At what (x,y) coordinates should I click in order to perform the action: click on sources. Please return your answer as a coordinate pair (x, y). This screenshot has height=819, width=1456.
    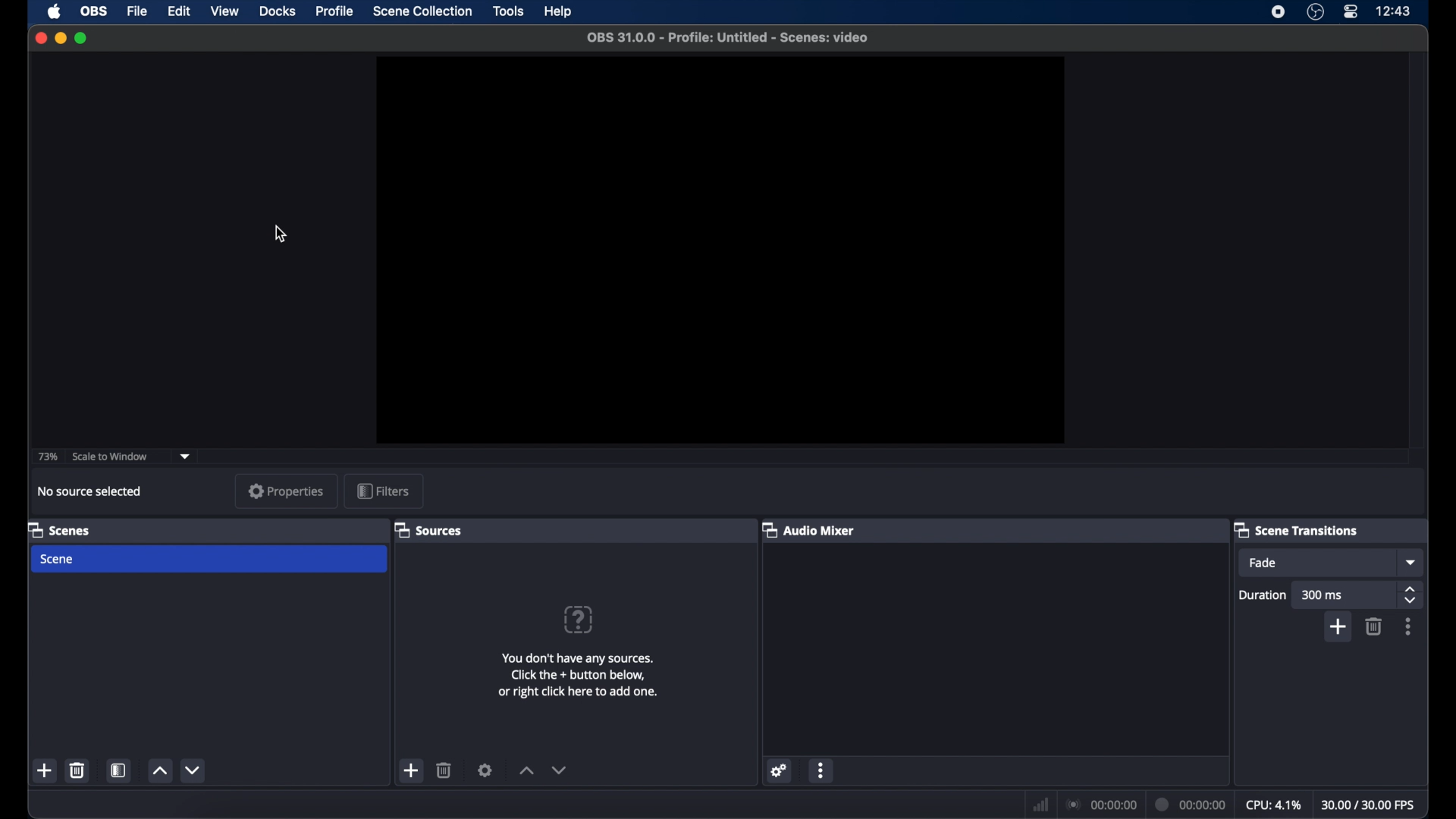
    Looking at the image, I should click on (431, 531).